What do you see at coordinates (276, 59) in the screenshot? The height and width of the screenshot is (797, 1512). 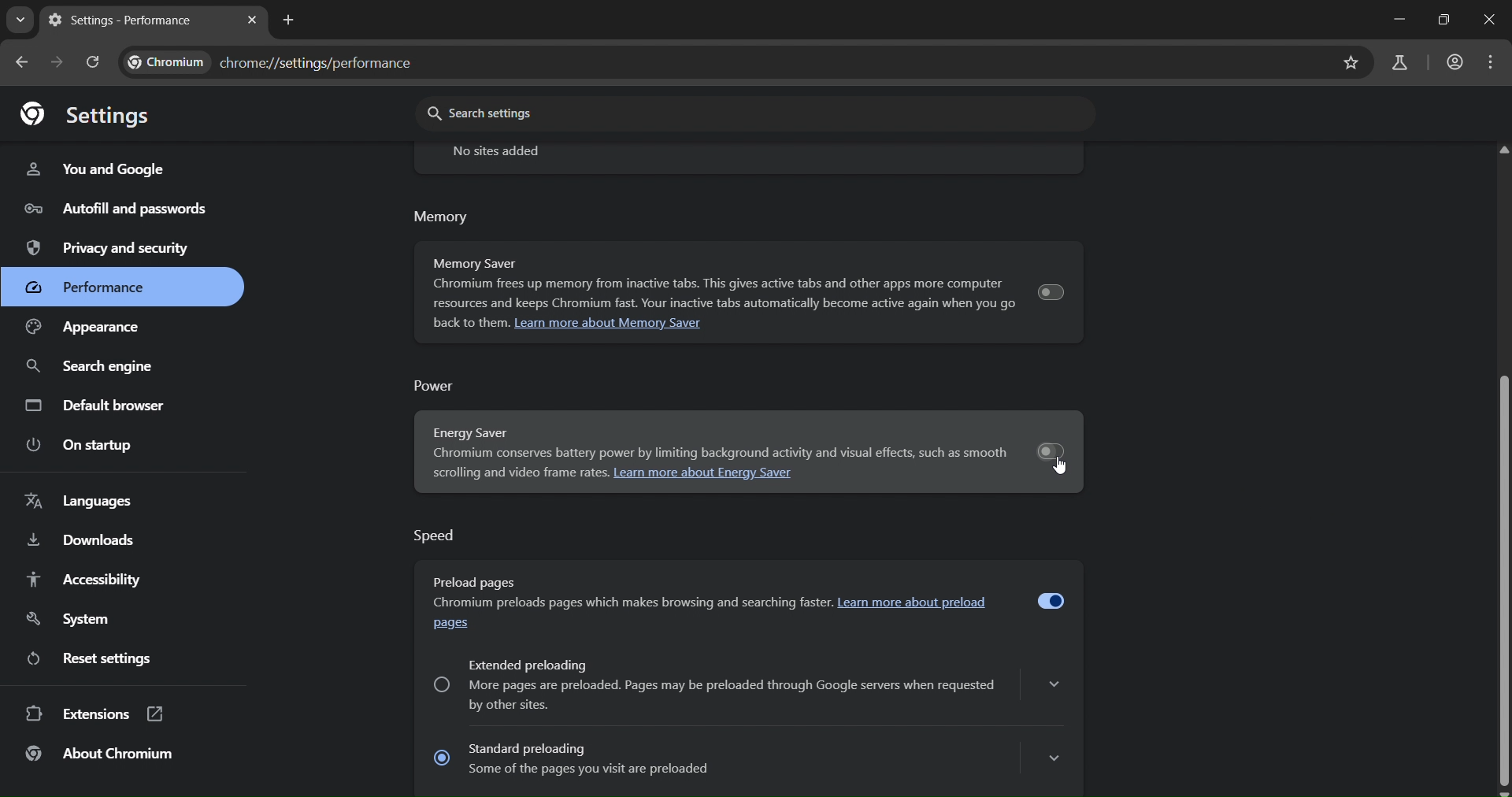 I see `chrome//settings/performance` at bounding box center [276, 59].